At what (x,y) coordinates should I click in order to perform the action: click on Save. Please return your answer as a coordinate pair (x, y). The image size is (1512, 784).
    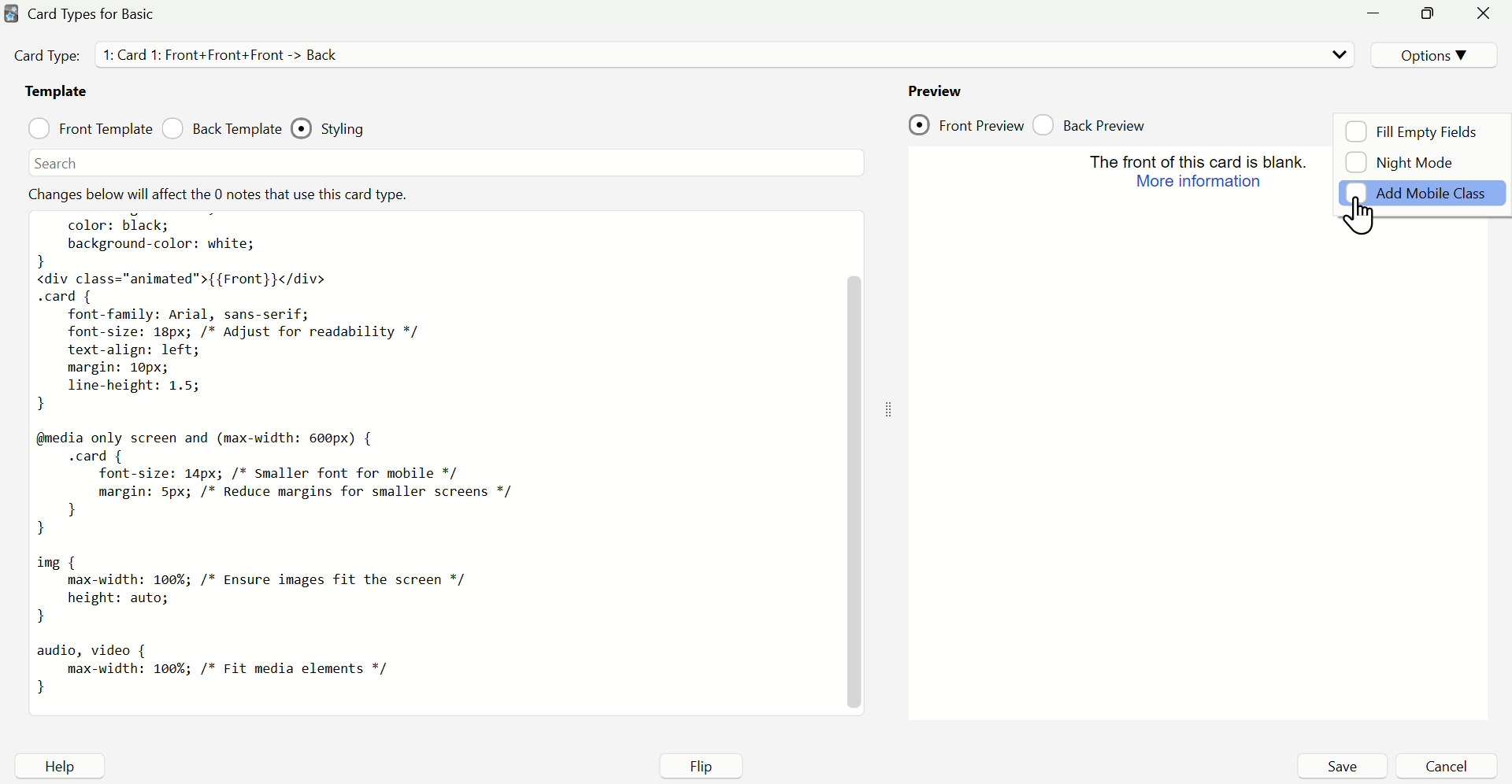
    Looking at the image, I should click on (1341, 766).